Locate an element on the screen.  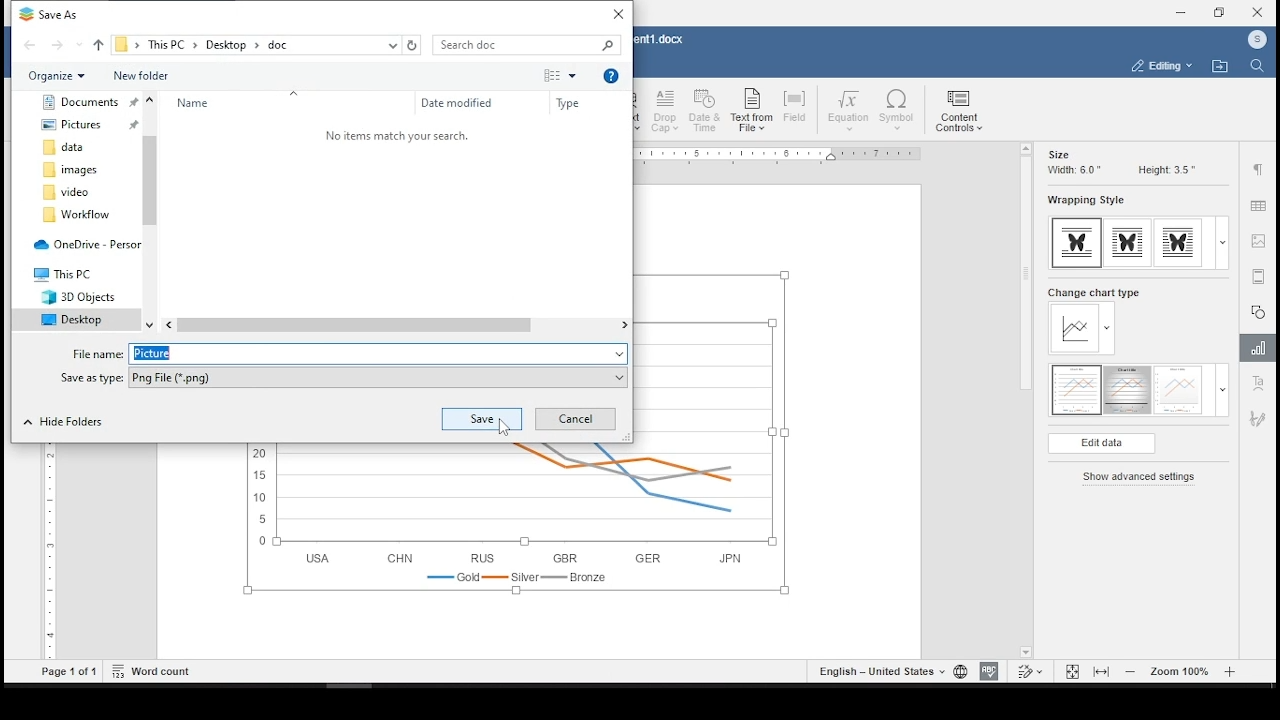
zoom in or out (100%) is located at coordinates (1181, 670).